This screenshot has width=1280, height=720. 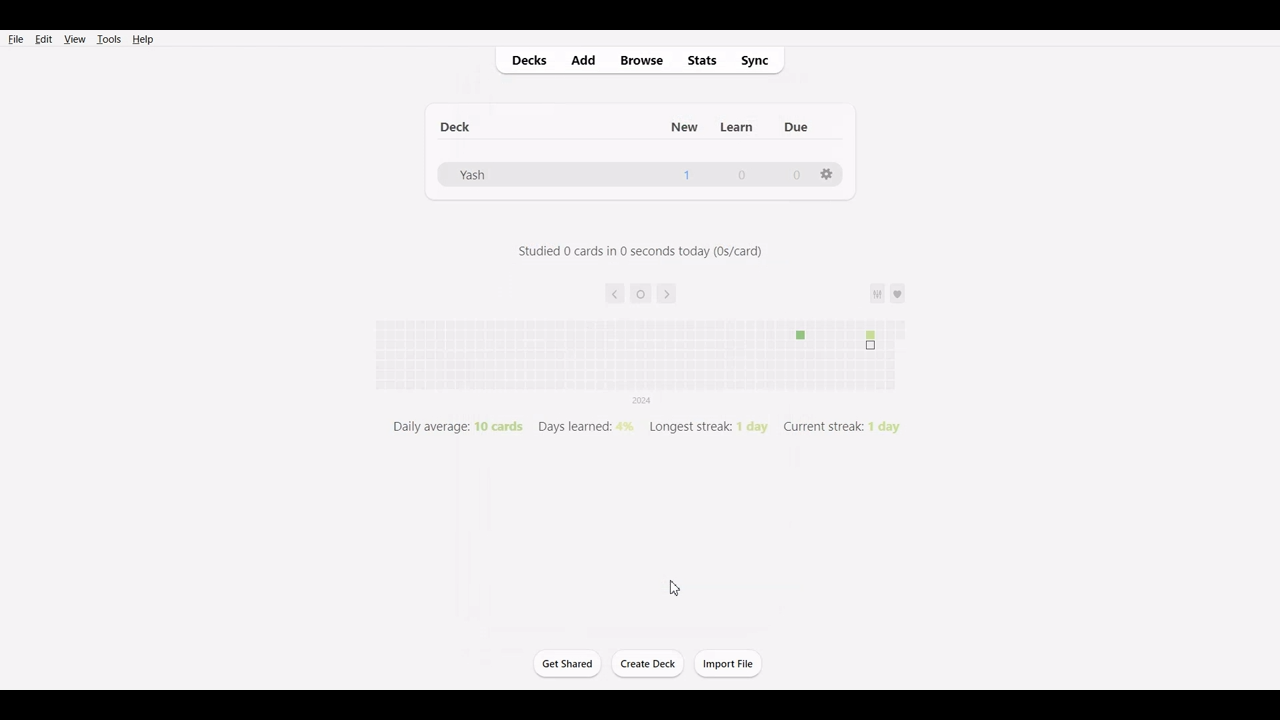 What do you see at coordinates (705, 427) in the screenshot?
I see `Longest streak: 1 day` at bounding box center [705, 427].